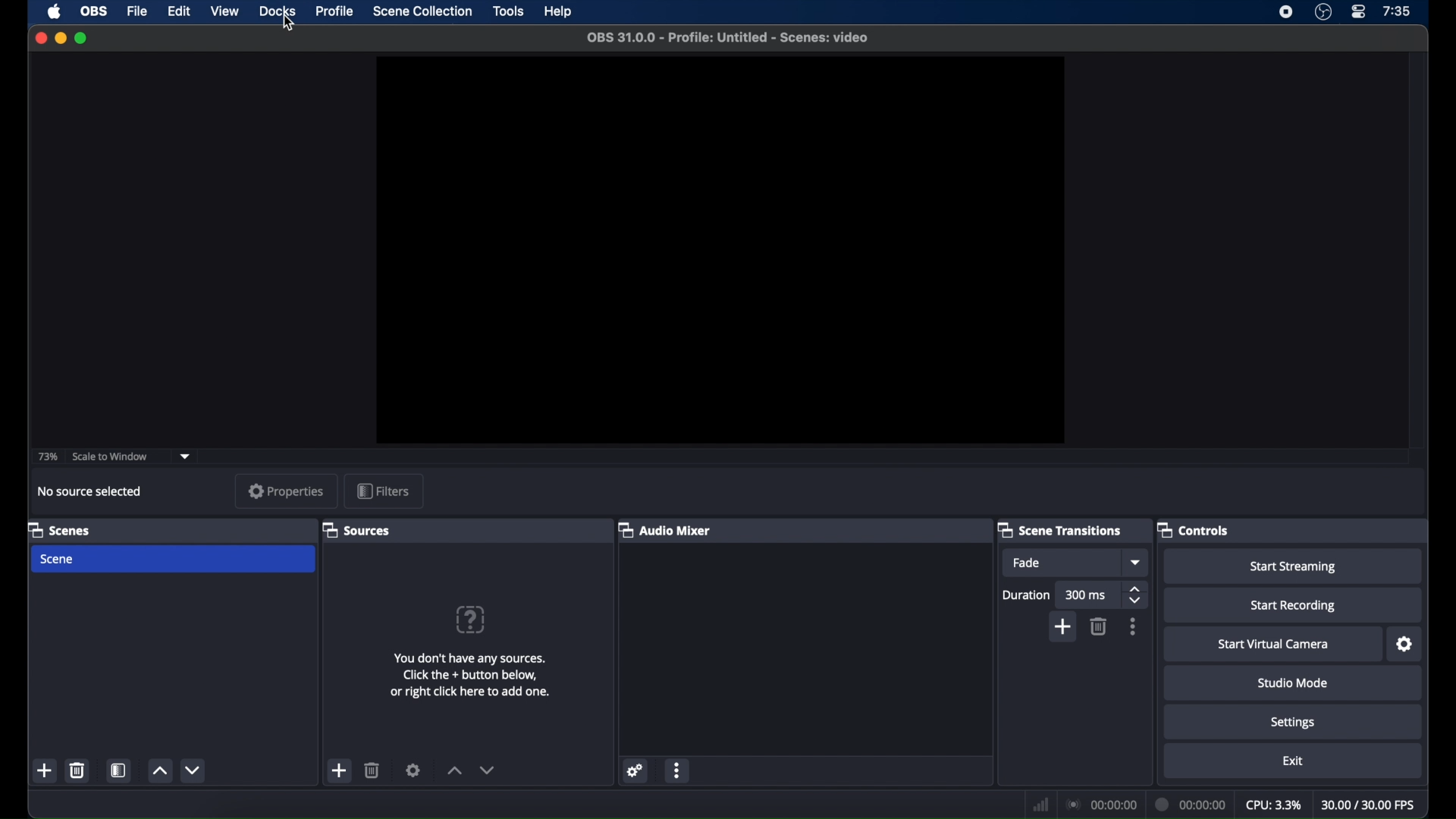  I want to click on delete, so click(372, 770).